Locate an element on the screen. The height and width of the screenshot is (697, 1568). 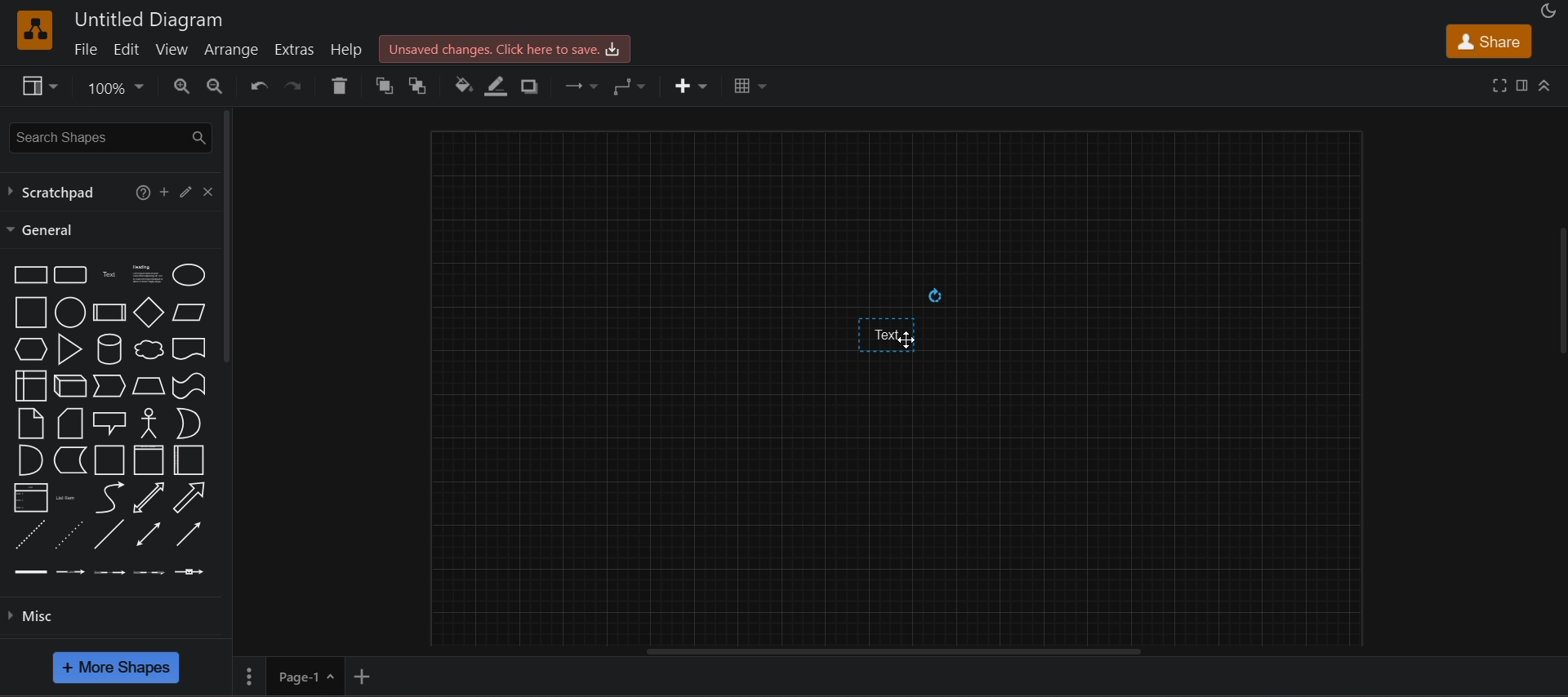
Data storage is located at coordinates (70, 459).